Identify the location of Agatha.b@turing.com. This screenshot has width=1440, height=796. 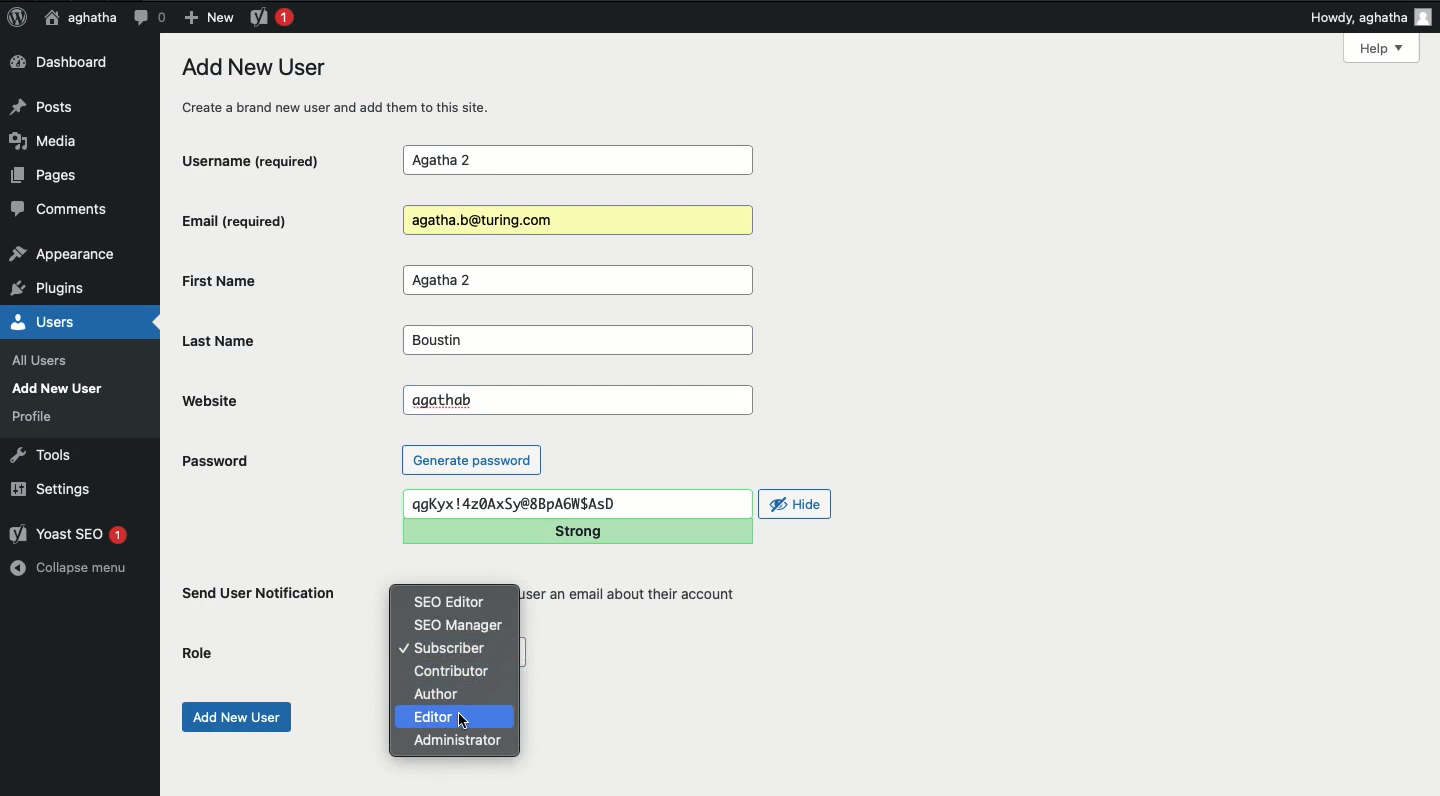
(574, 221).